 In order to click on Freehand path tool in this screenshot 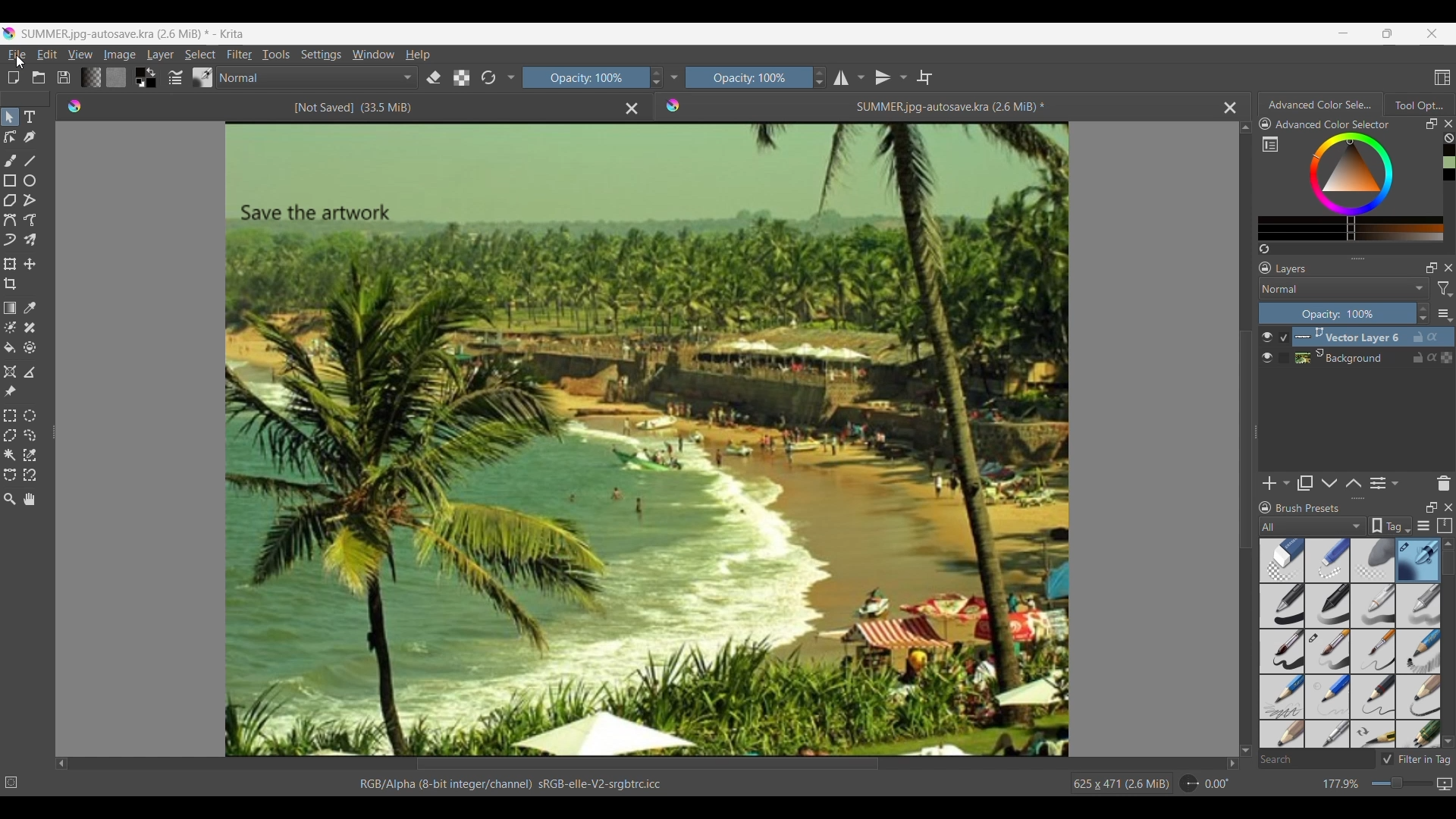, I will do `click(30, 220)`.